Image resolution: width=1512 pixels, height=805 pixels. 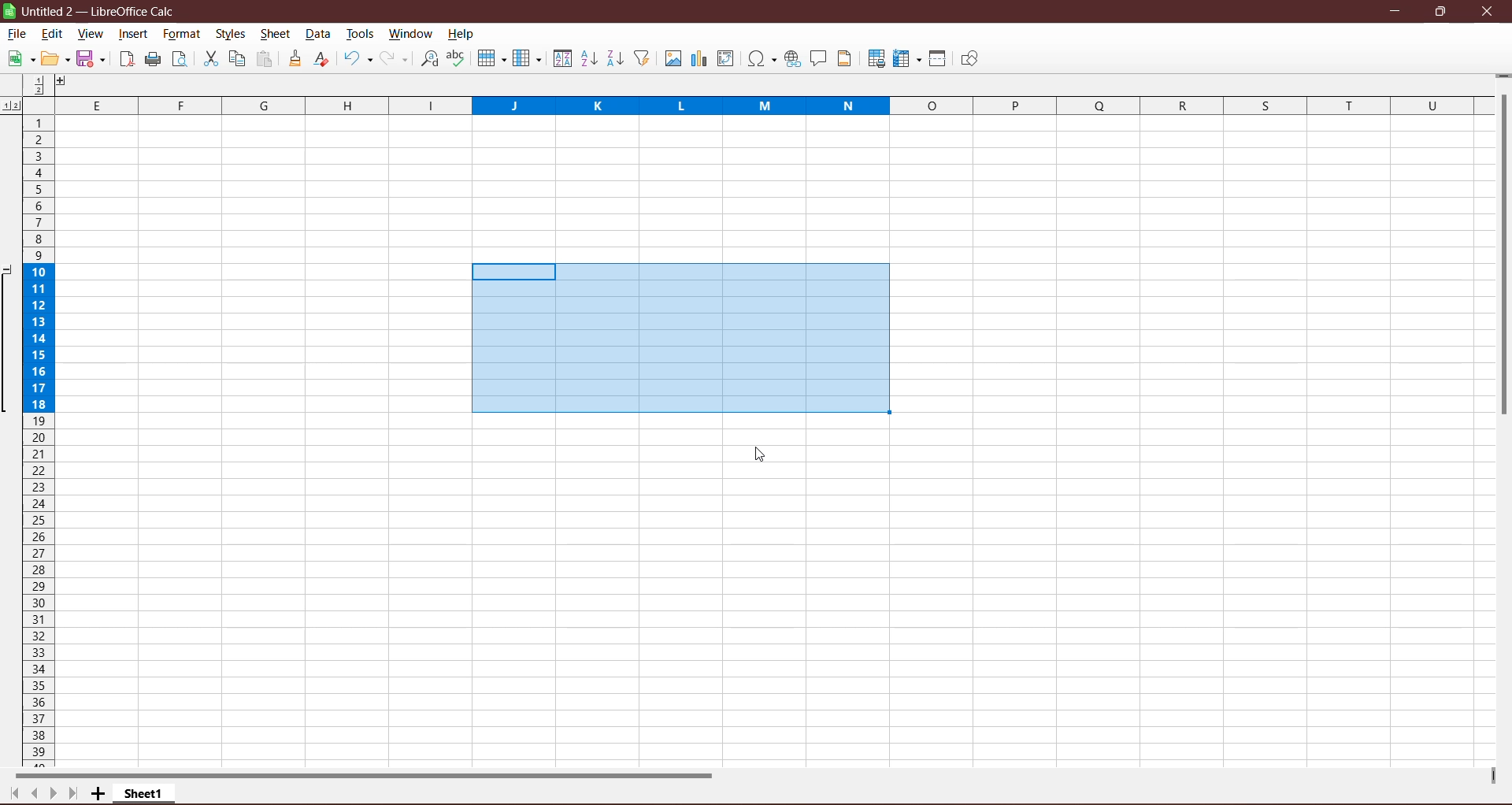 What do you see at coordinates (819, 59) in the screenshot?
I see `Insert Comment` at bounding box center [819, 59].